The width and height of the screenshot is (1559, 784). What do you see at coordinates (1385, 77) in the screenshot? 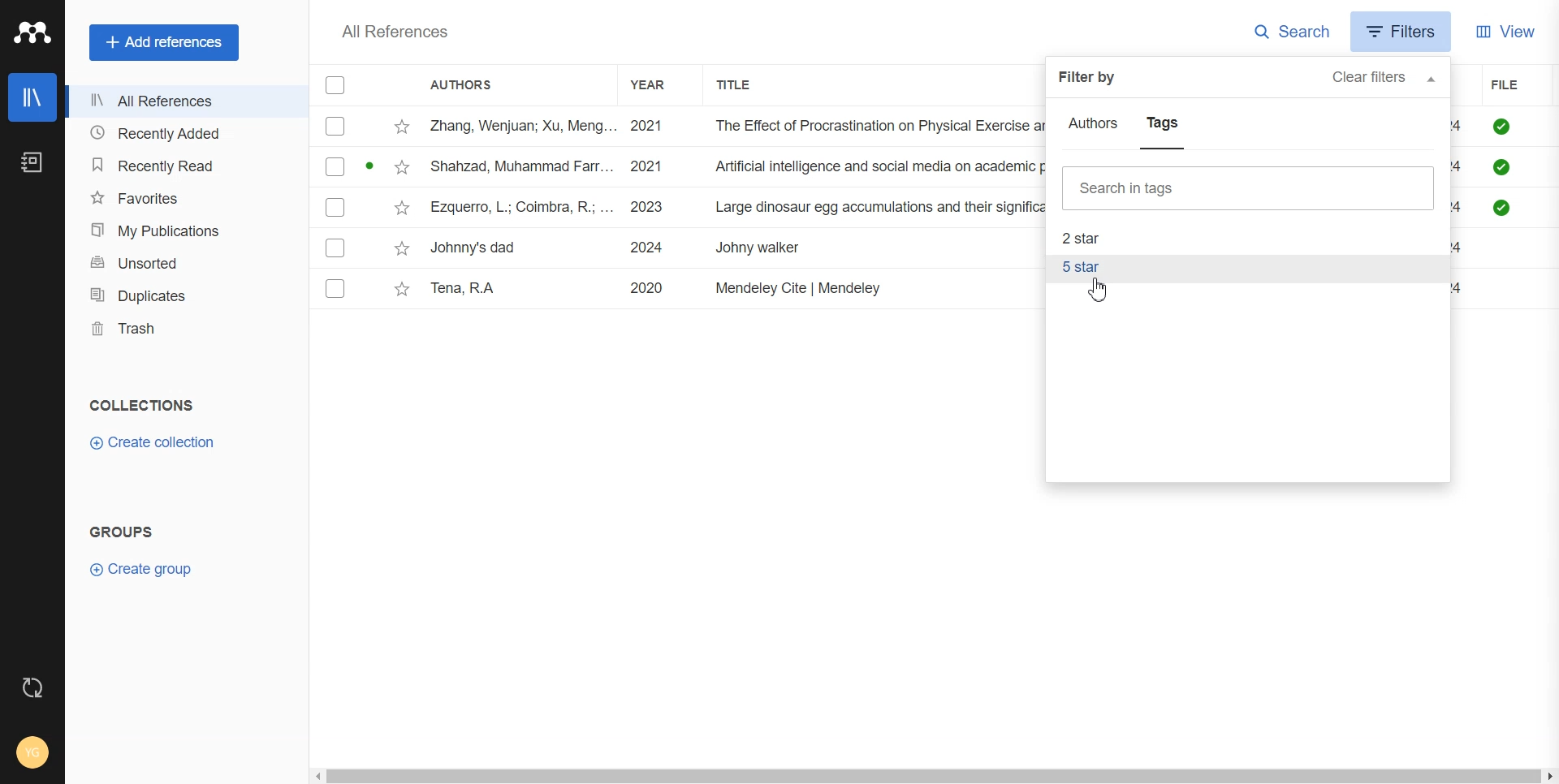
I see `Clear filters` at bounding box center [1385, 77].